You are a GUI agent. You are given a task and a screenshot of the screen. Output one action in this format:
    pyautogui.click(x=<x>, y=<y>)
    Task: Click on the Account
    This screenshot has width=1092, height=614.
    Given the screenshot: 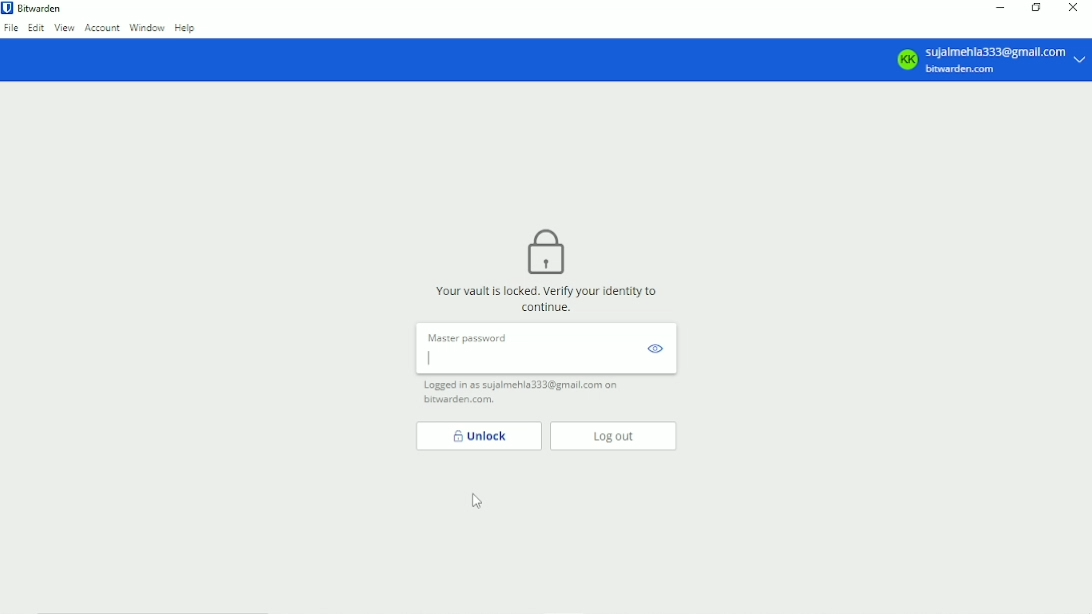 What is the action you would take?
    pyautogui.click(x=102, y=29)
    